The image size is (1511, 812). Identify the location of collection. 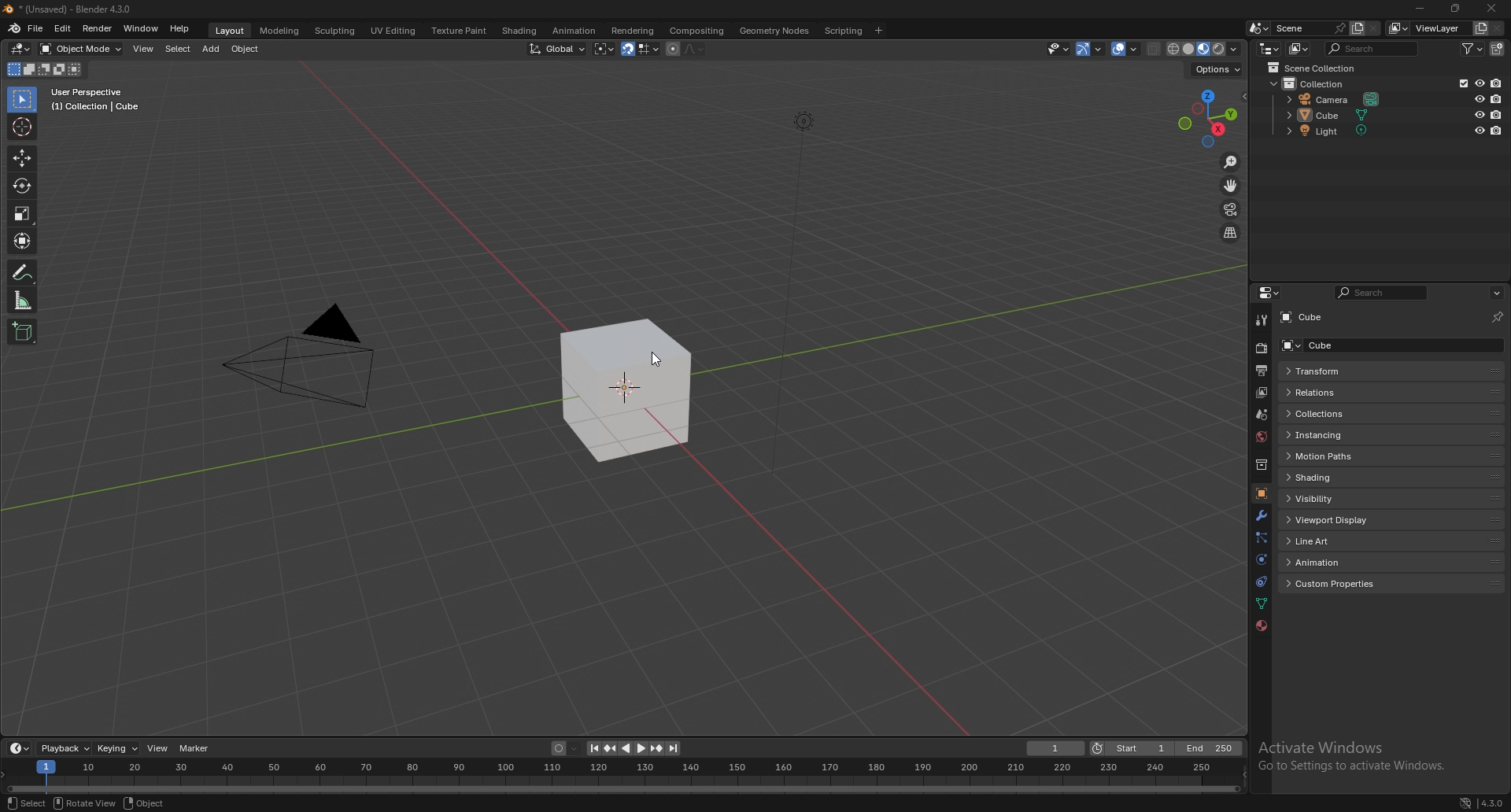
(1324, 83).